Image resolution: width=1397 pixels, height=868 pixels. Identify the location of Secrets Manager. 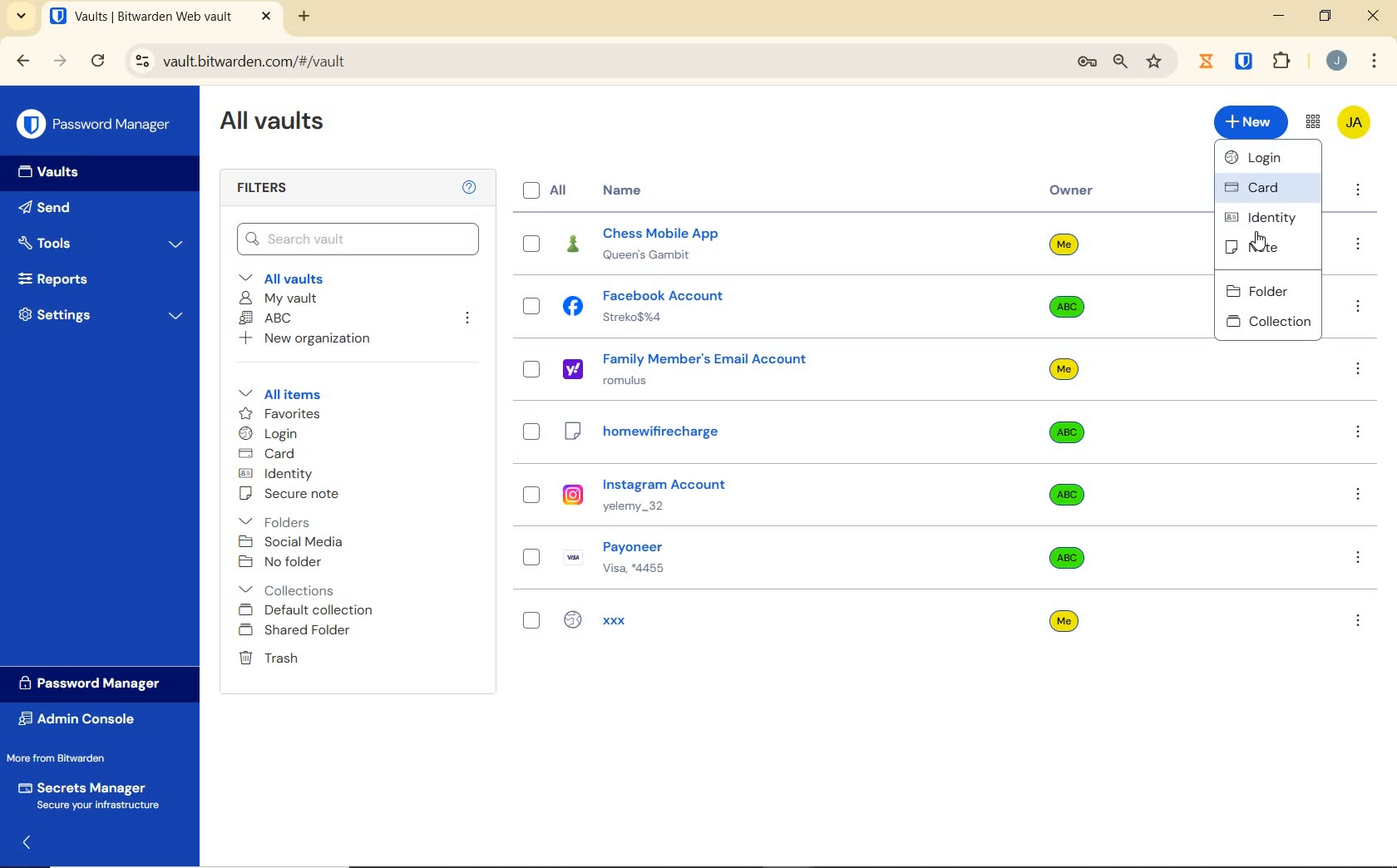
(93, 793).